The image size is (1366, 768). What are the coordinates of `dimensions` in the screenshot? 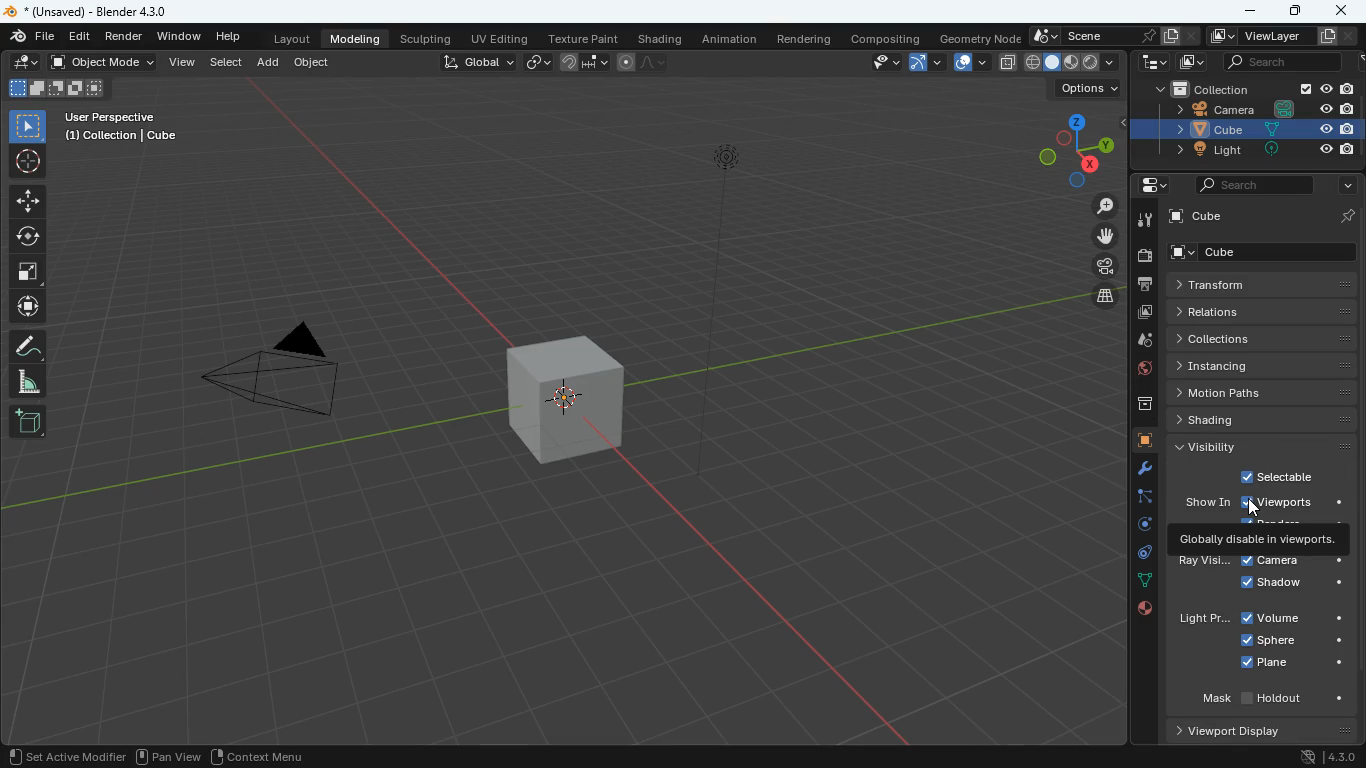 It's located at (1072, 148).